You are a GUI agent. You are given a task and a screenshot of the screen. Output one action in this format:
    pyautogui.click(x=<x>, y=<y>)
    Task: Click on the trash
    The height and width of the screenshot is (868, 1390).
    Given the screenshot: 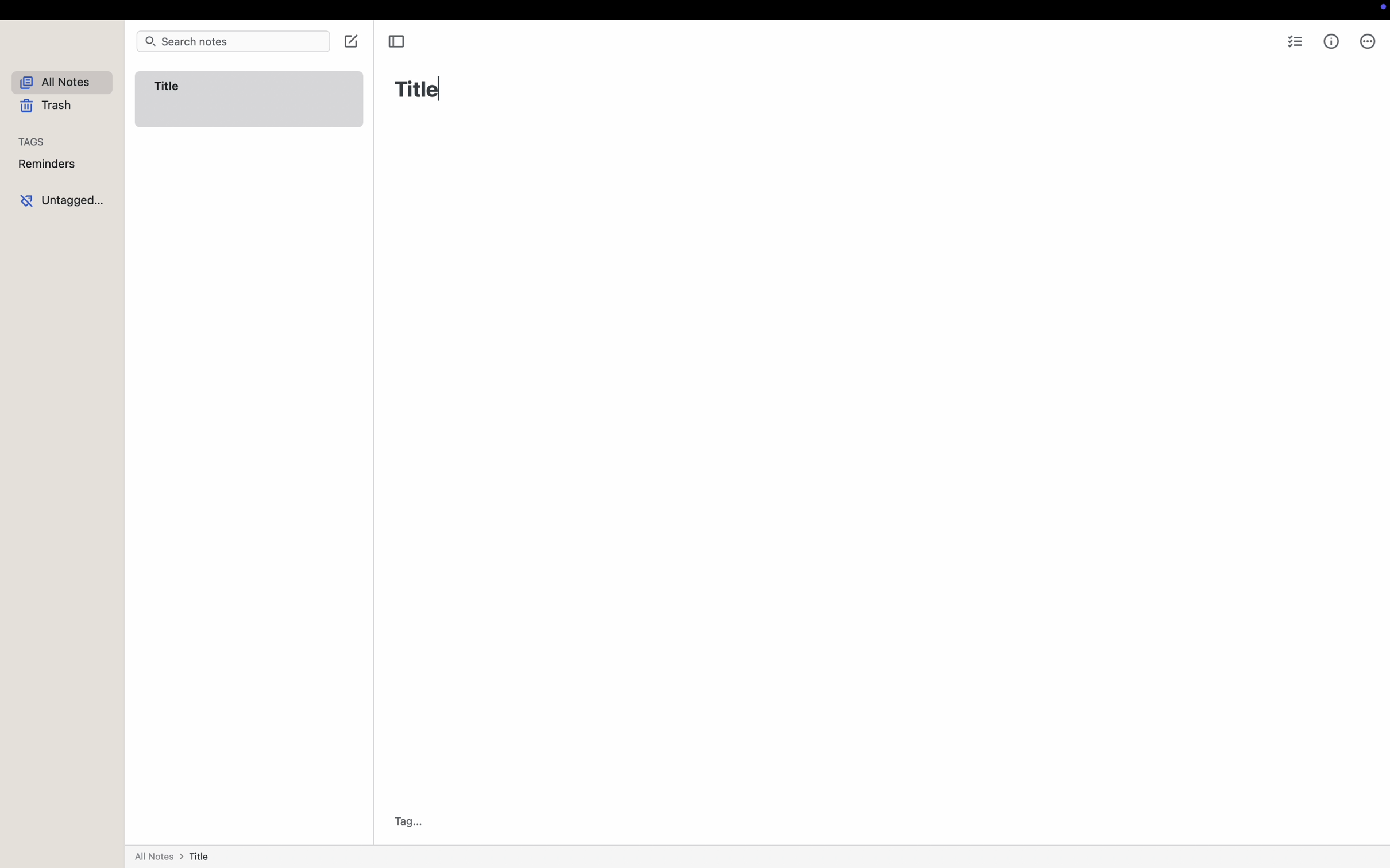 What is the action you would take?
    pyautogui.click(x=46, y=106)
    